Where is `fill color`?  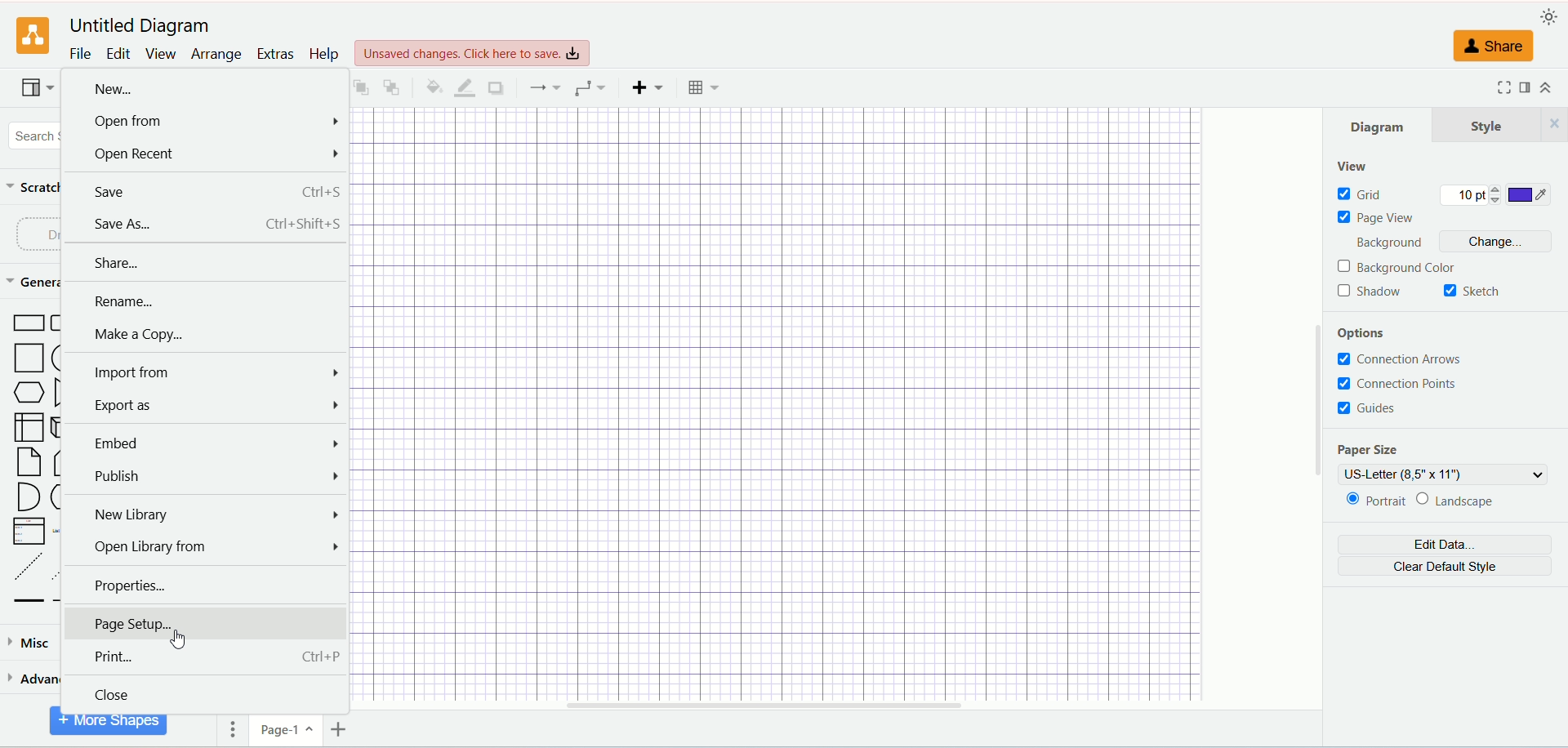
fill color is located at coordinates (430, 86).